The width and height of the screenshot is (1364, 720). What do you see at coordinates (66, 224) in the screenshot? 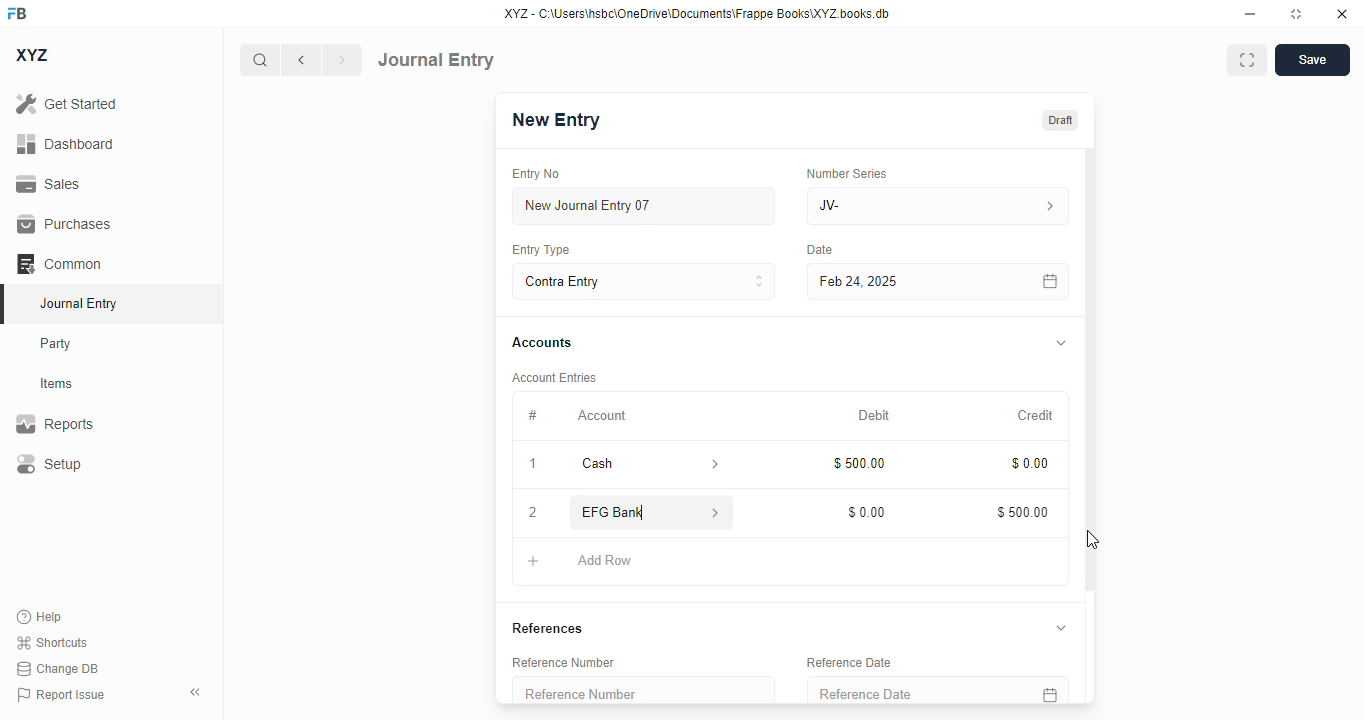
I see `purchases` at bounding box center [66, 224].